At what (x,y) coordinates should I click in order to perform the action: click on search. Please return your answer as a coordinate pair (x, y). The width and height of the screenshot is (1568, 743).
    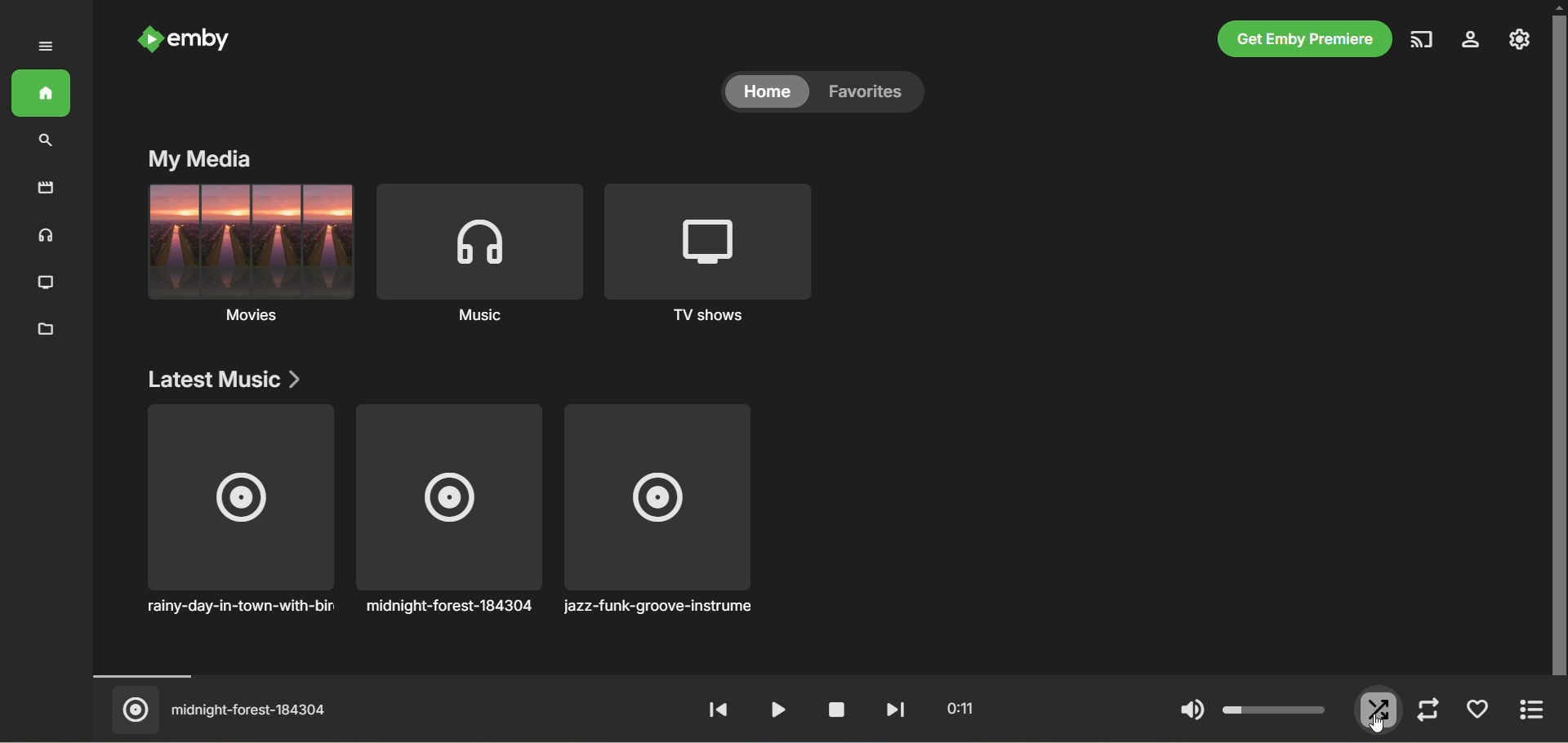
    Looking at the image, I should click on (46, 141).